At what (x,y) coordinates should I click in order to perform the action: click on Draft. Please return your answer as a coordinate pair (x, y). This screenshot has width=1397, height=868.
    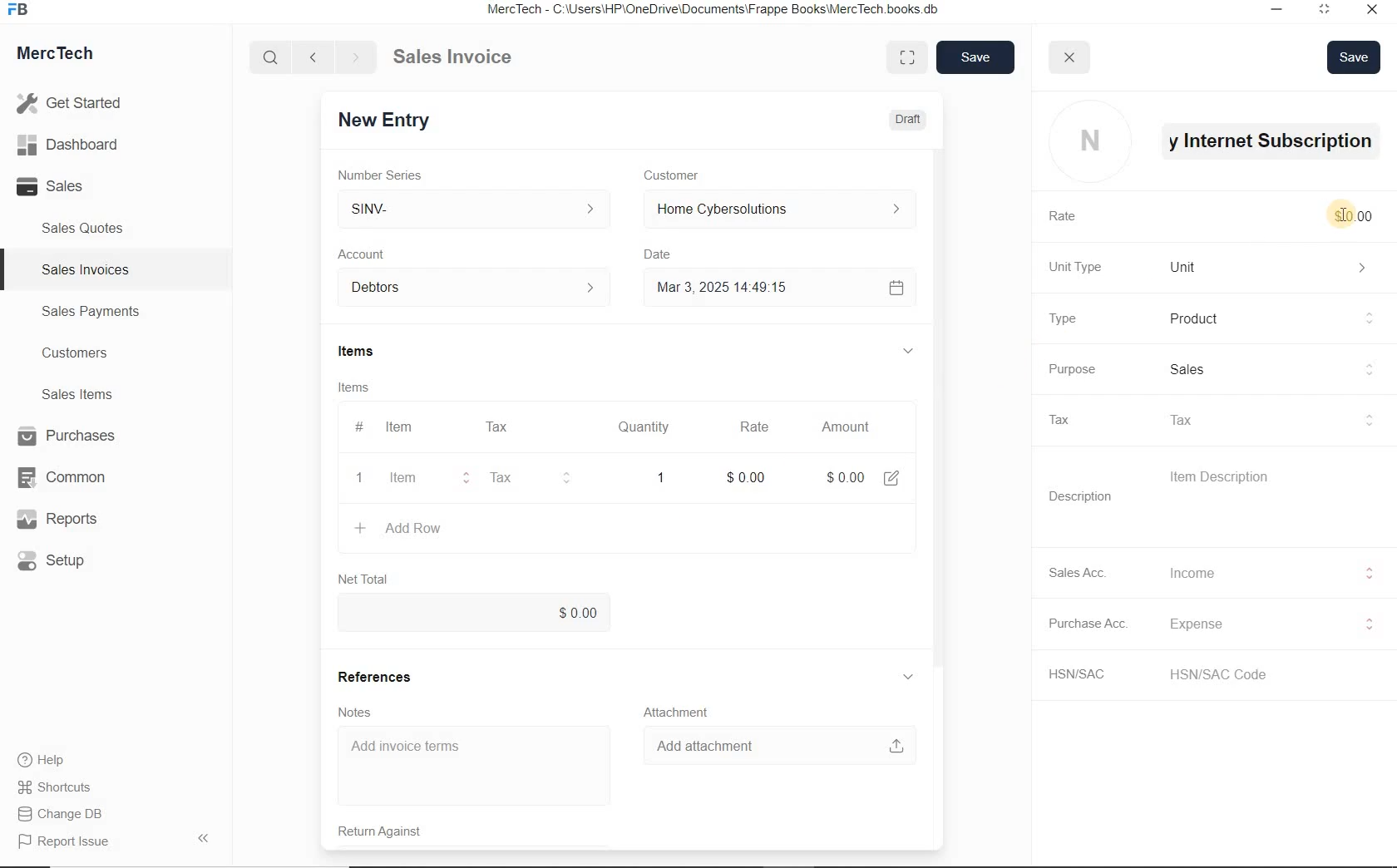
    Looking at the image, I should click on (909, 118).